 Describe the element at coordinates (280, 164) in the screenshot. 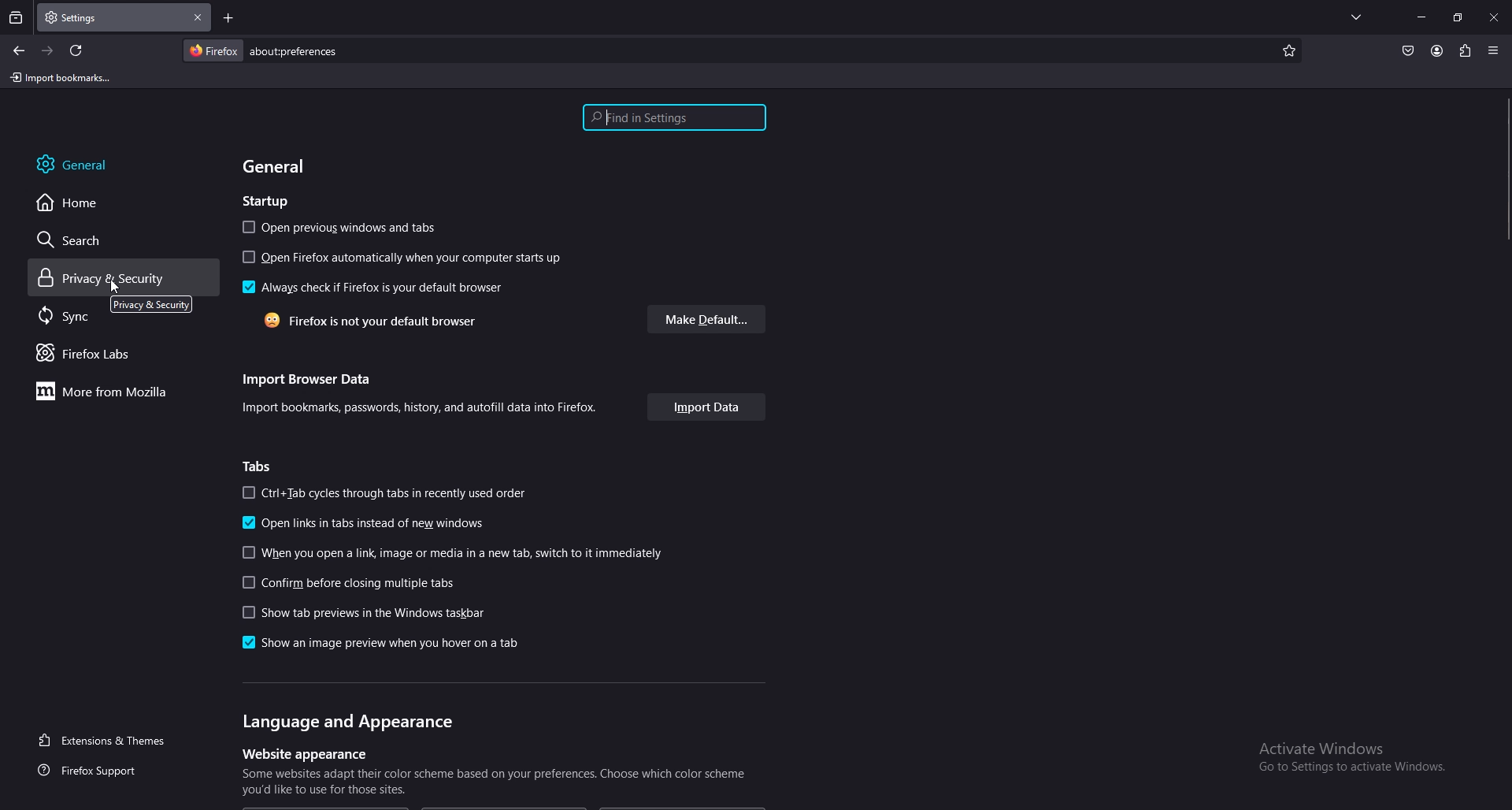

I see `general` at that location.